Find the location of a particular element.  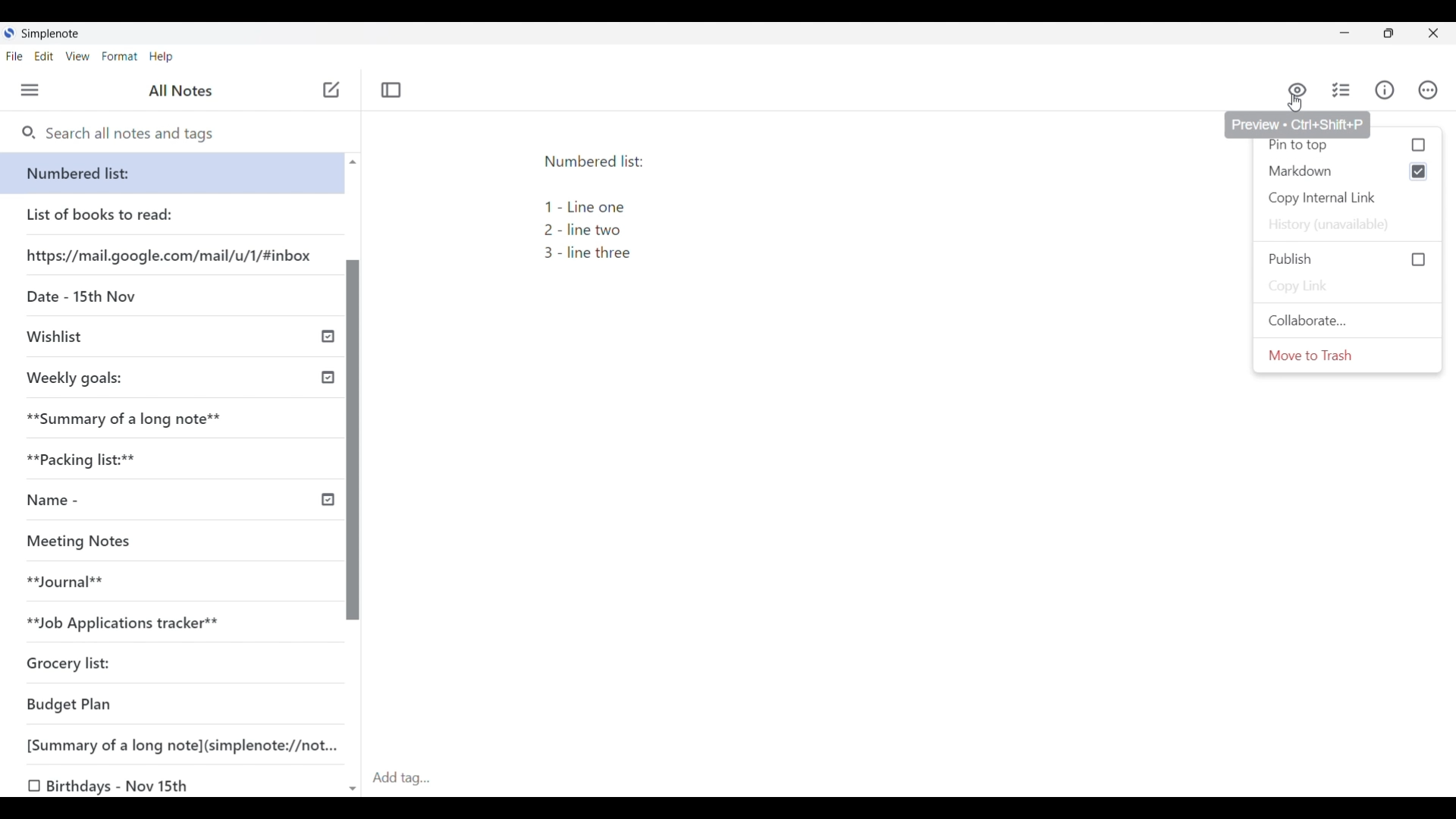

Search notes and tags is located at coordinates (136, 133).